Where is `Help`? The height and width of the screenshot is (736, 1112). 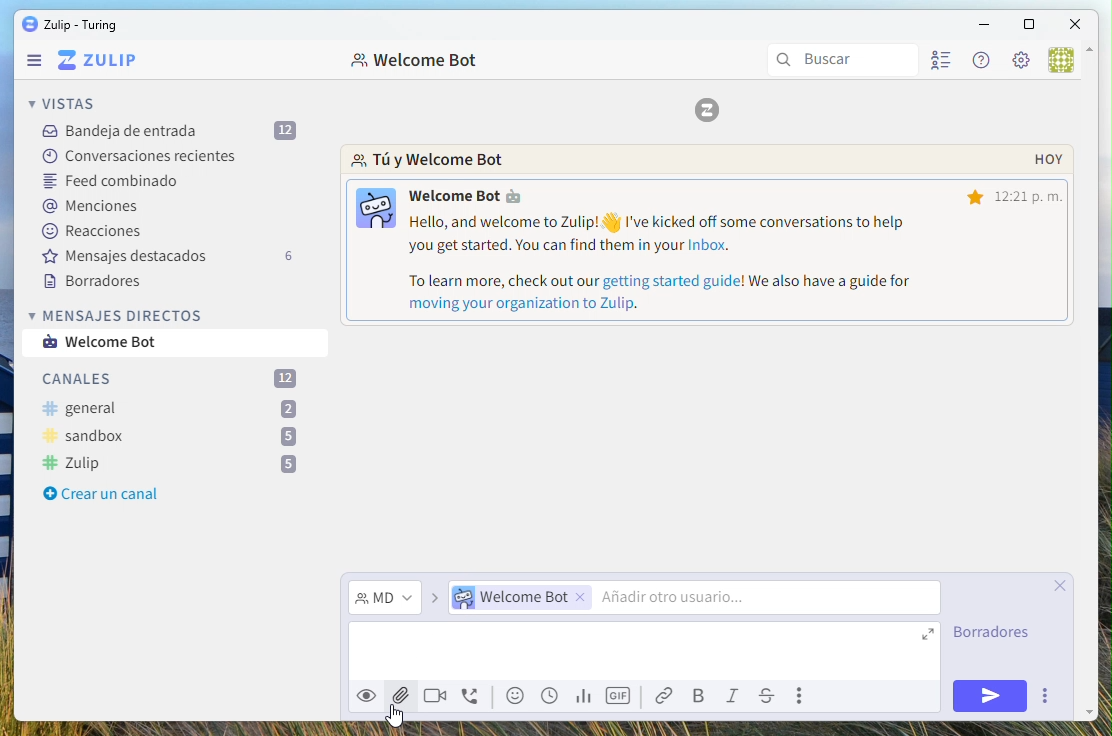
Help is located at coordinates (978, 60).